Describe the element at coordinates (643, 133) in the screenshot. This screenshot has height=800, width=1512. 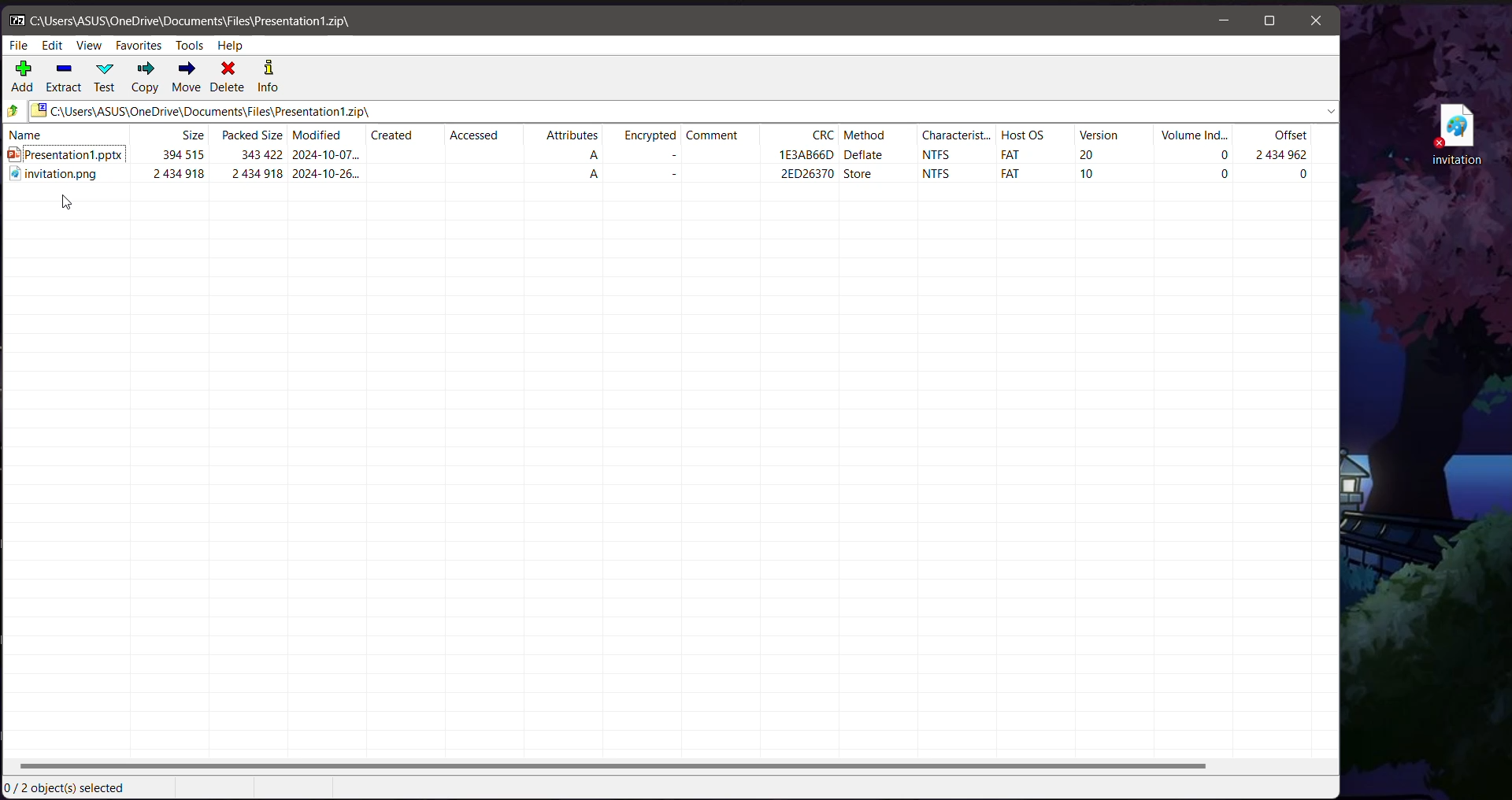
I see `Encrypted` at that location.